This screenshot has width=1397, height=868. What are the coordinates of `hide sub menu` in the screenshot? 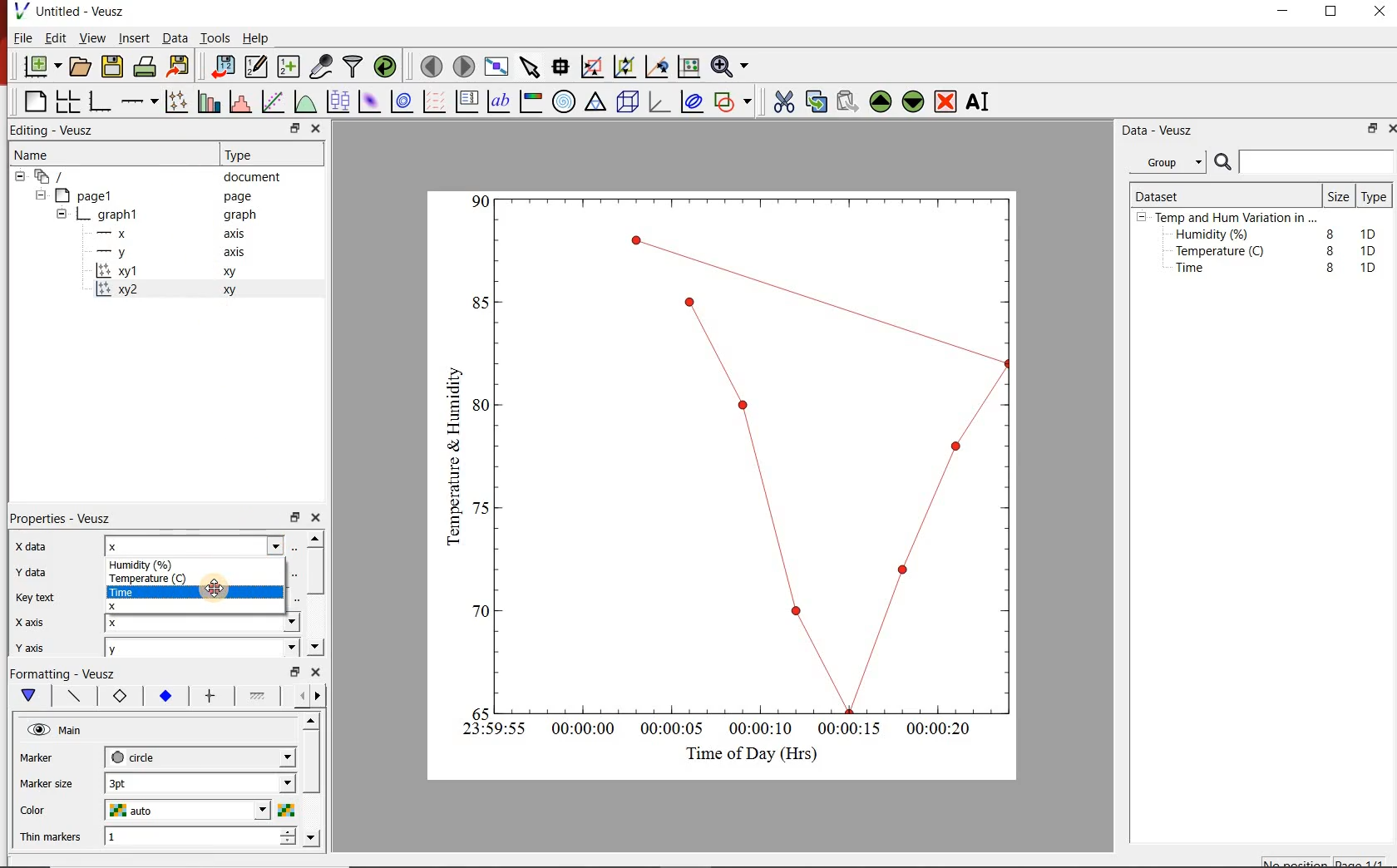 It's located at (62, 213).